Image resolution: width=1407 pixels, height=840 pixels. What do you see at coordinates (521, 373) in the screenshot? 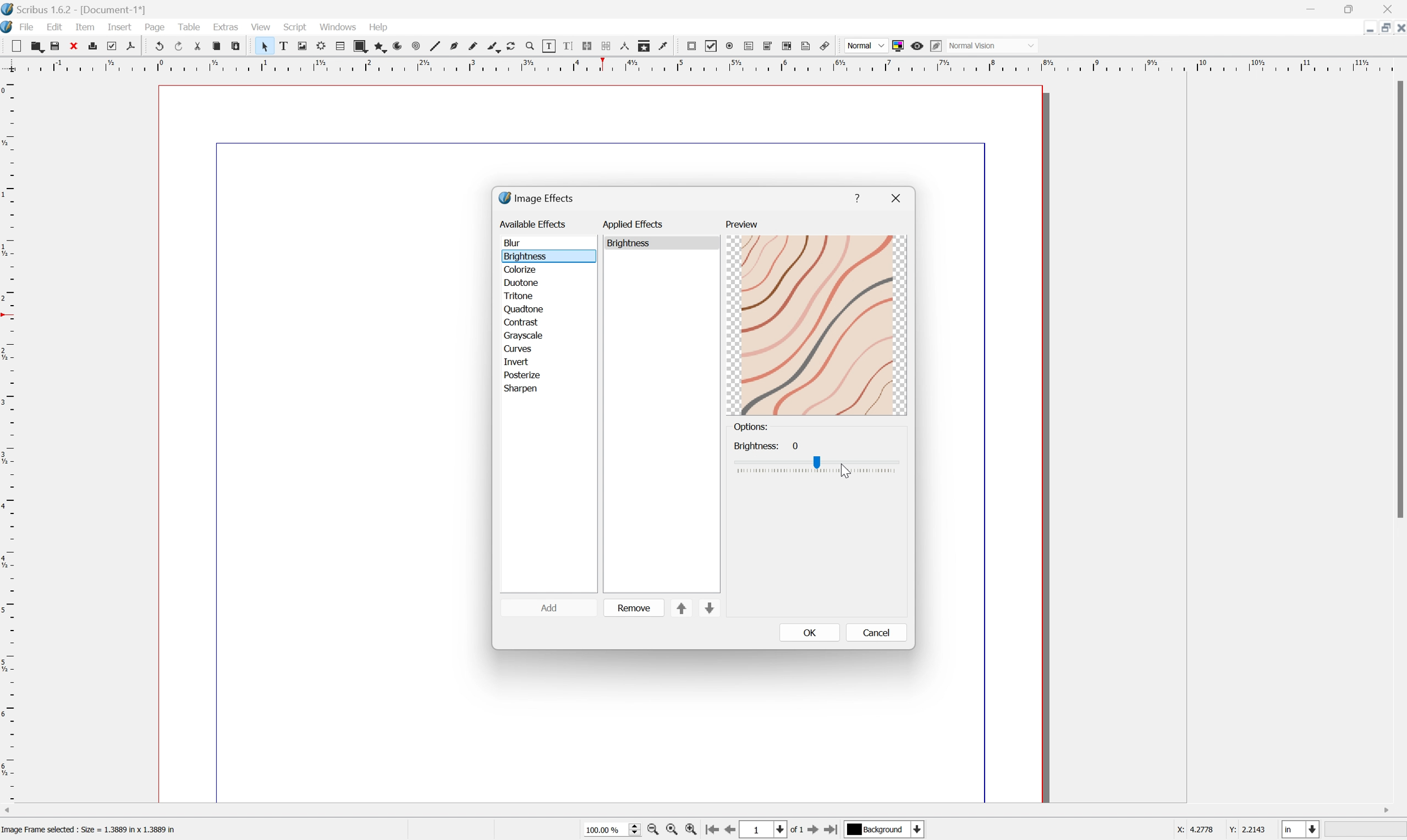
I see `posterize` at bounding box center [521, 373].